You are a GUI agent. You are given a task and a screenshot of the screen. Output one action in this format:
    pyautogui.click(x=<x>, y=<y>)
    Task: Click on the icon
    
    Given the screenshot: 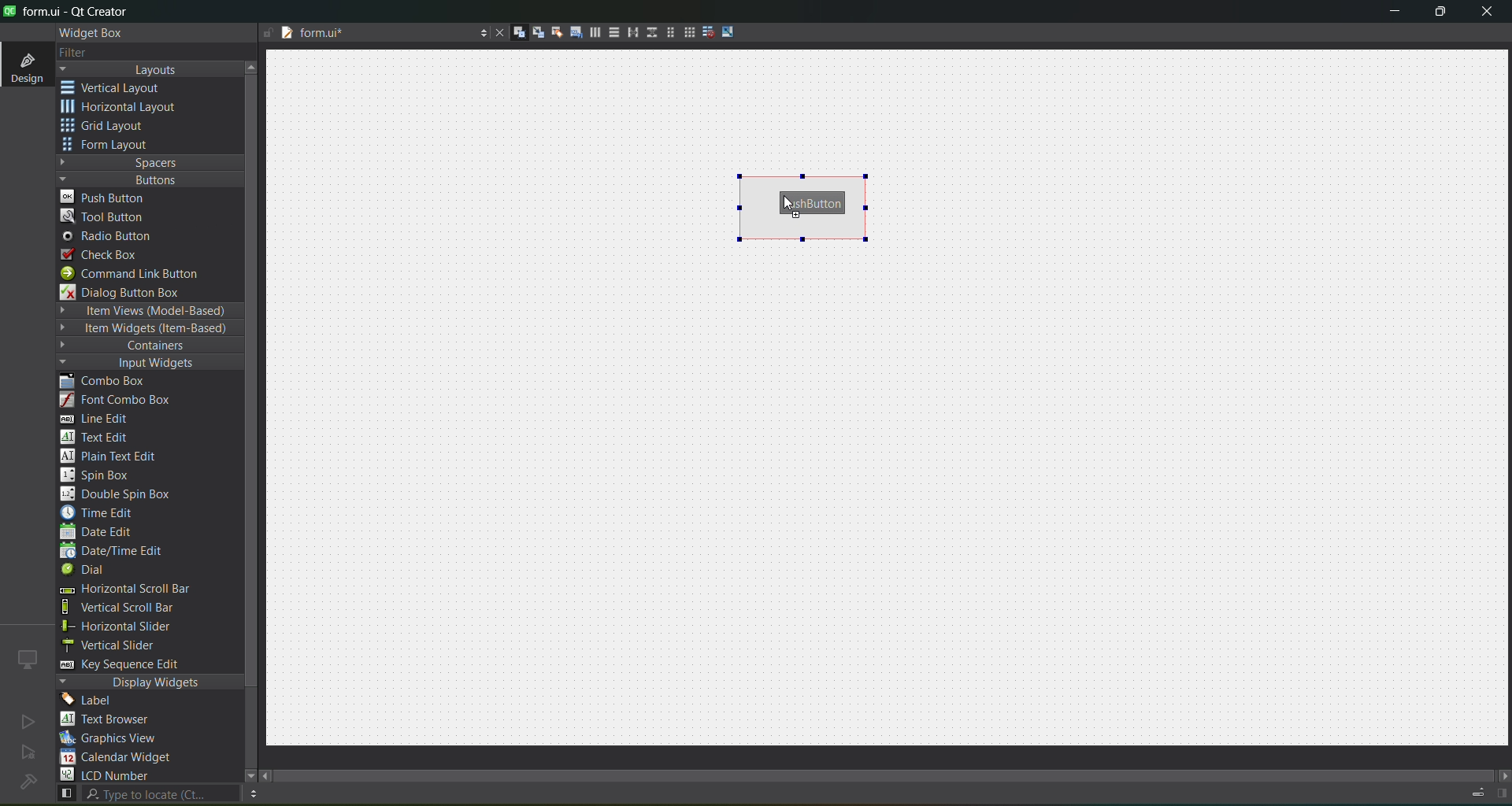 What is the action you would take?
    pyautogui.click(x=28, y=659)
    